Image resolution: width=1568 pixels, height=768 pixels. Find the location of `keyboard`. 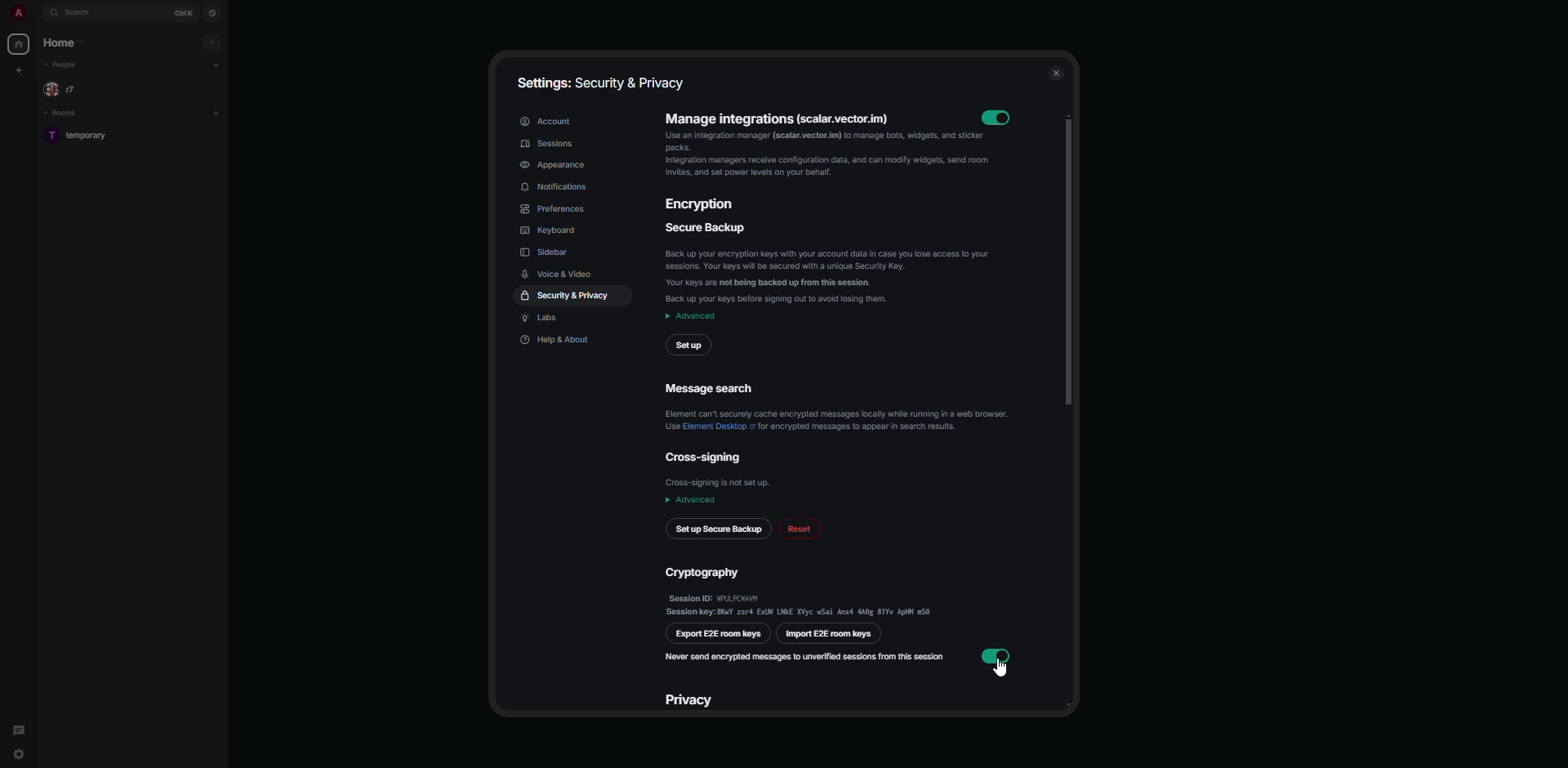

keyboard is located at coordinates (549, 230).